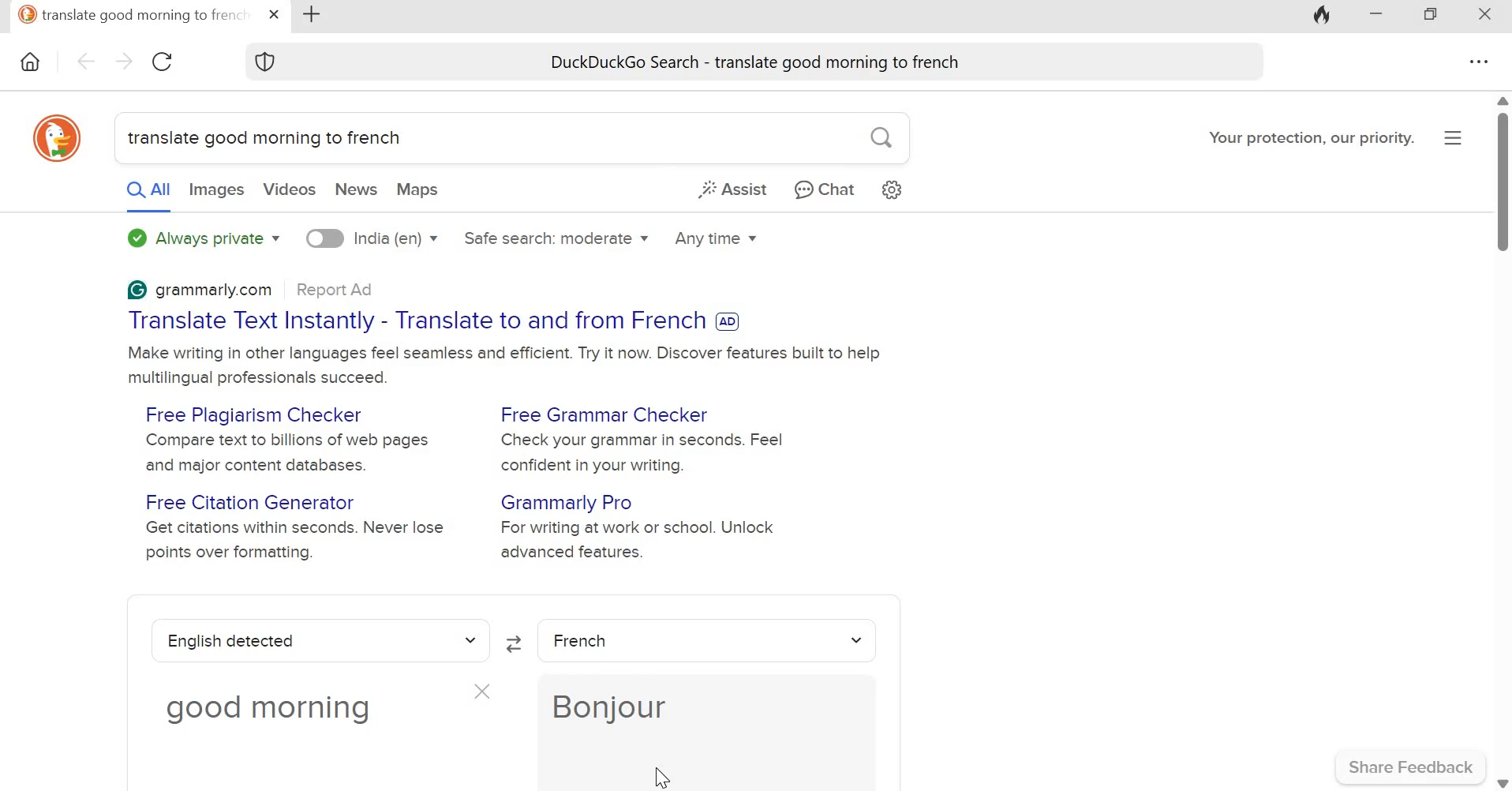 Image resolution: width=1512 pixels, height=791 pixels. What do you see at coordinates (829, 187) in the screenshot?
I see `Chat` at bounding box center [829, 187].